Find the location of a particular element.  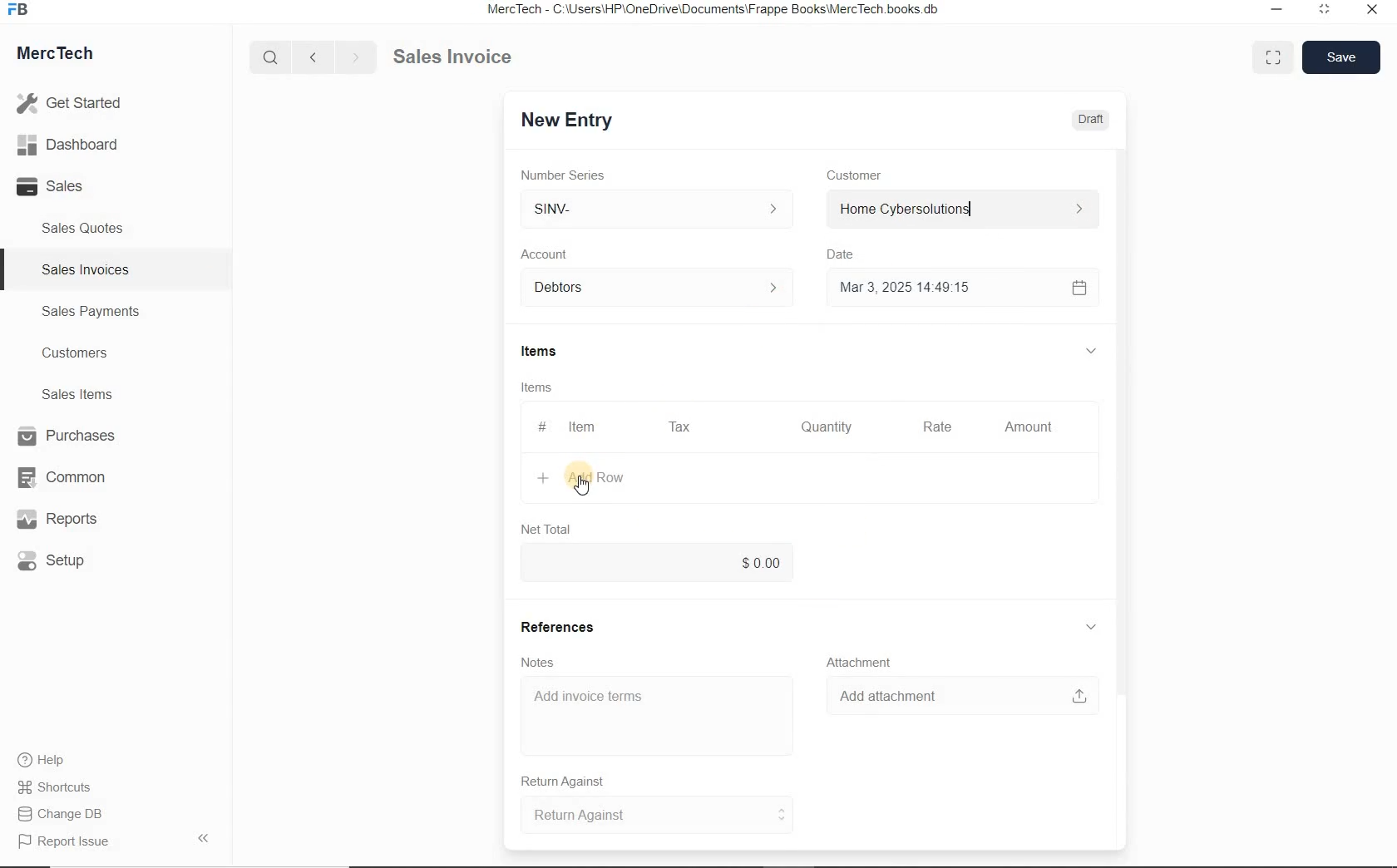

Get Started is located at coordinates (75, 103).